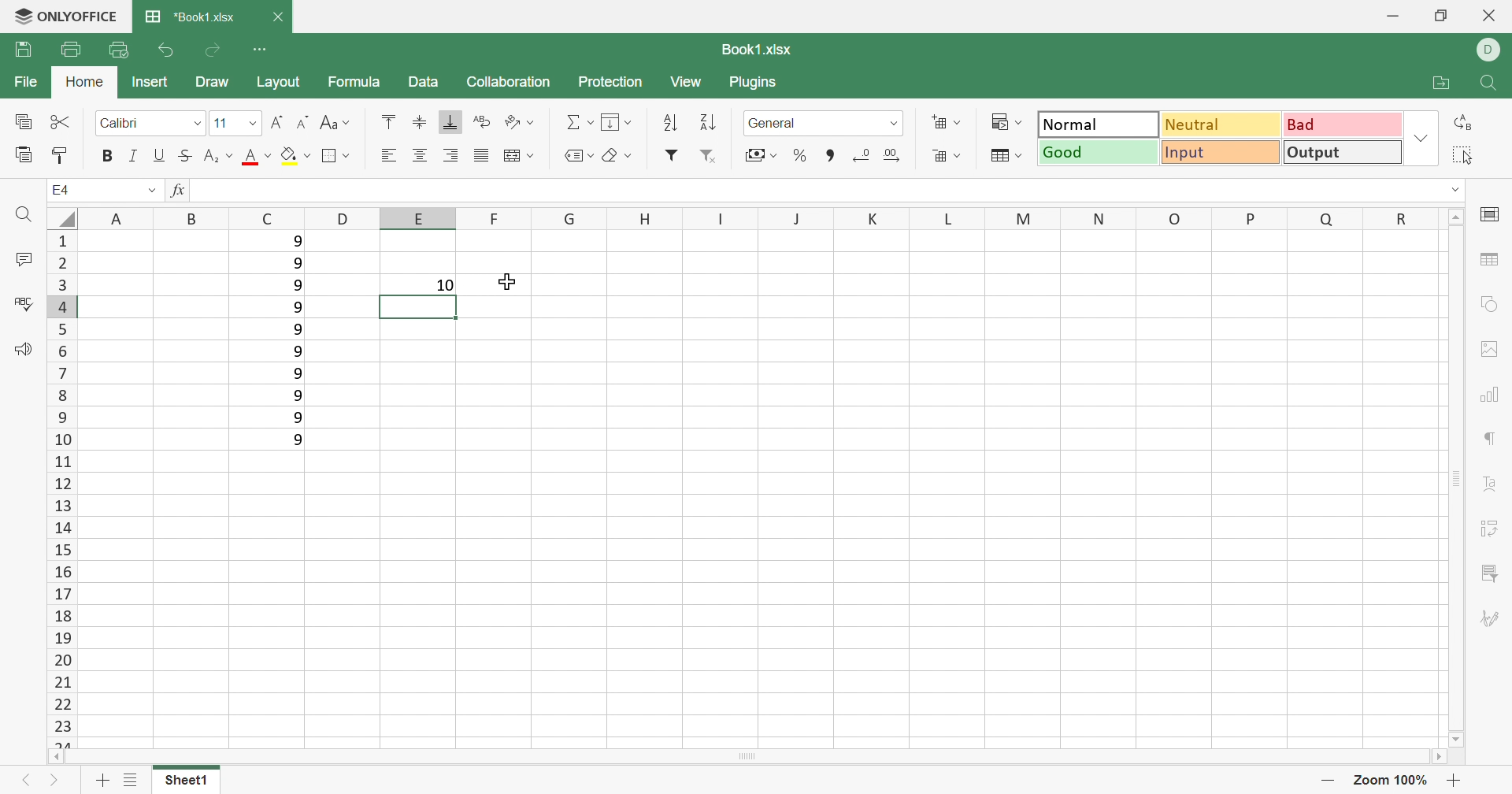  I want to click on Underline, so click(159, 155).